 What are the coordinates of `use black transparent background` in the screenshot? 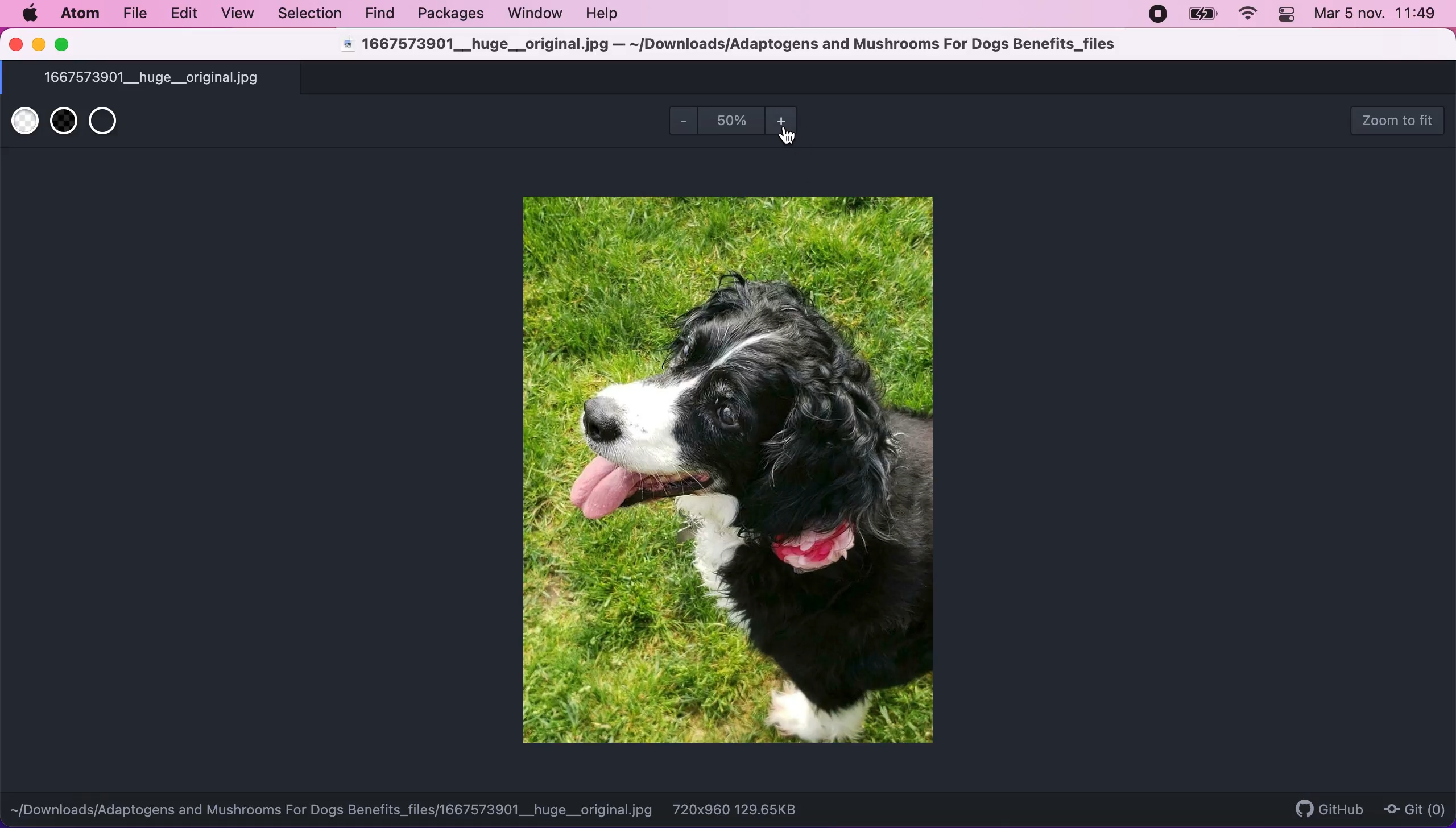 It's located at (61, 123).